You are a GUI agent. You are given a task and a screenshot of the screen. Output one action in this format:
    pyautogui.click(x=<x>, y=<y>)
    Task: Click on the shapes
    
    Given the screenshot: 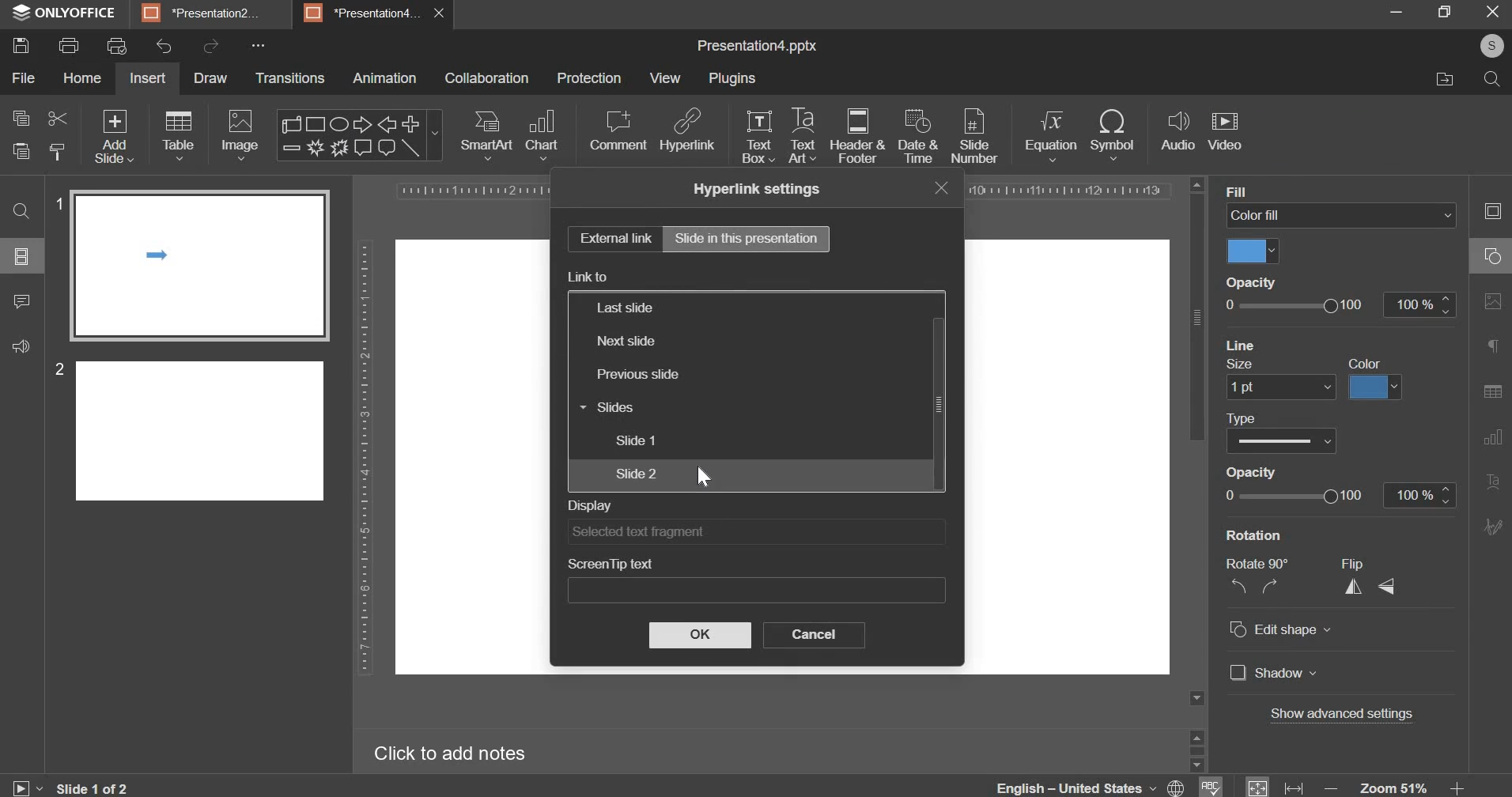 What is the action you would take?
    pyautogui.click(x=359, y=134)
    